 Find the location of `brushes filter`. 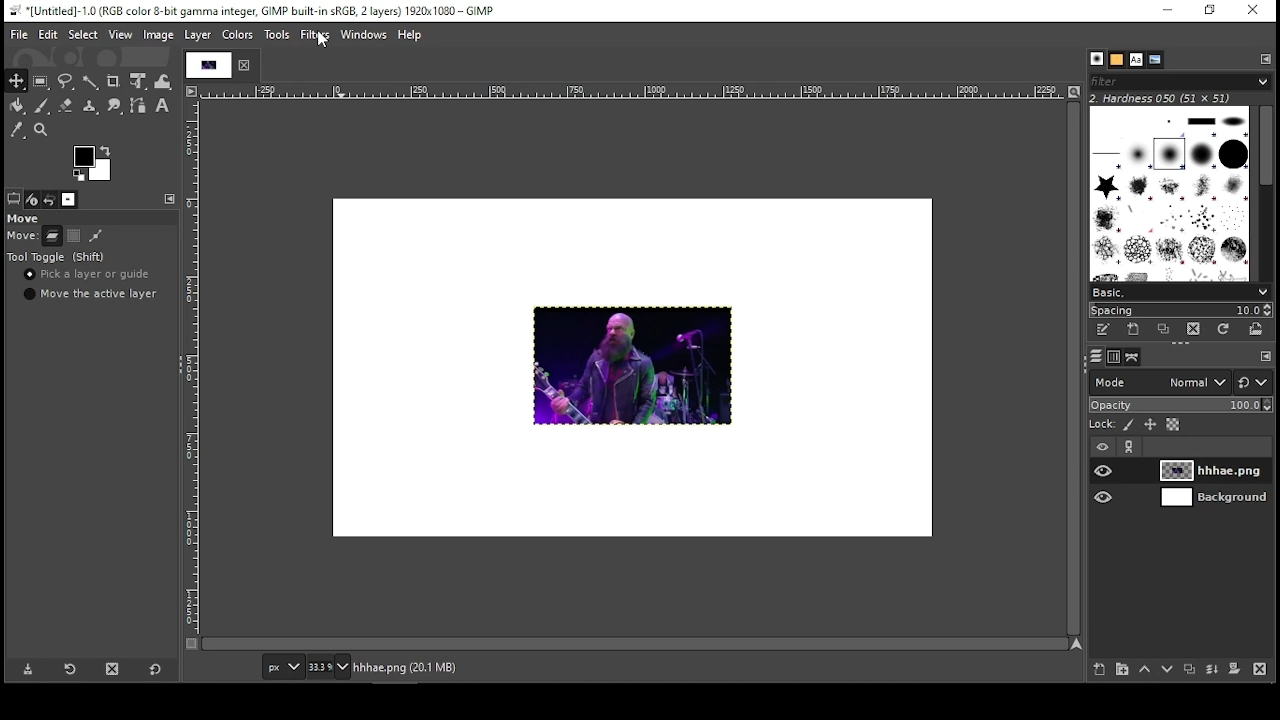

brushes filter is located at coordinates (1180, 81).